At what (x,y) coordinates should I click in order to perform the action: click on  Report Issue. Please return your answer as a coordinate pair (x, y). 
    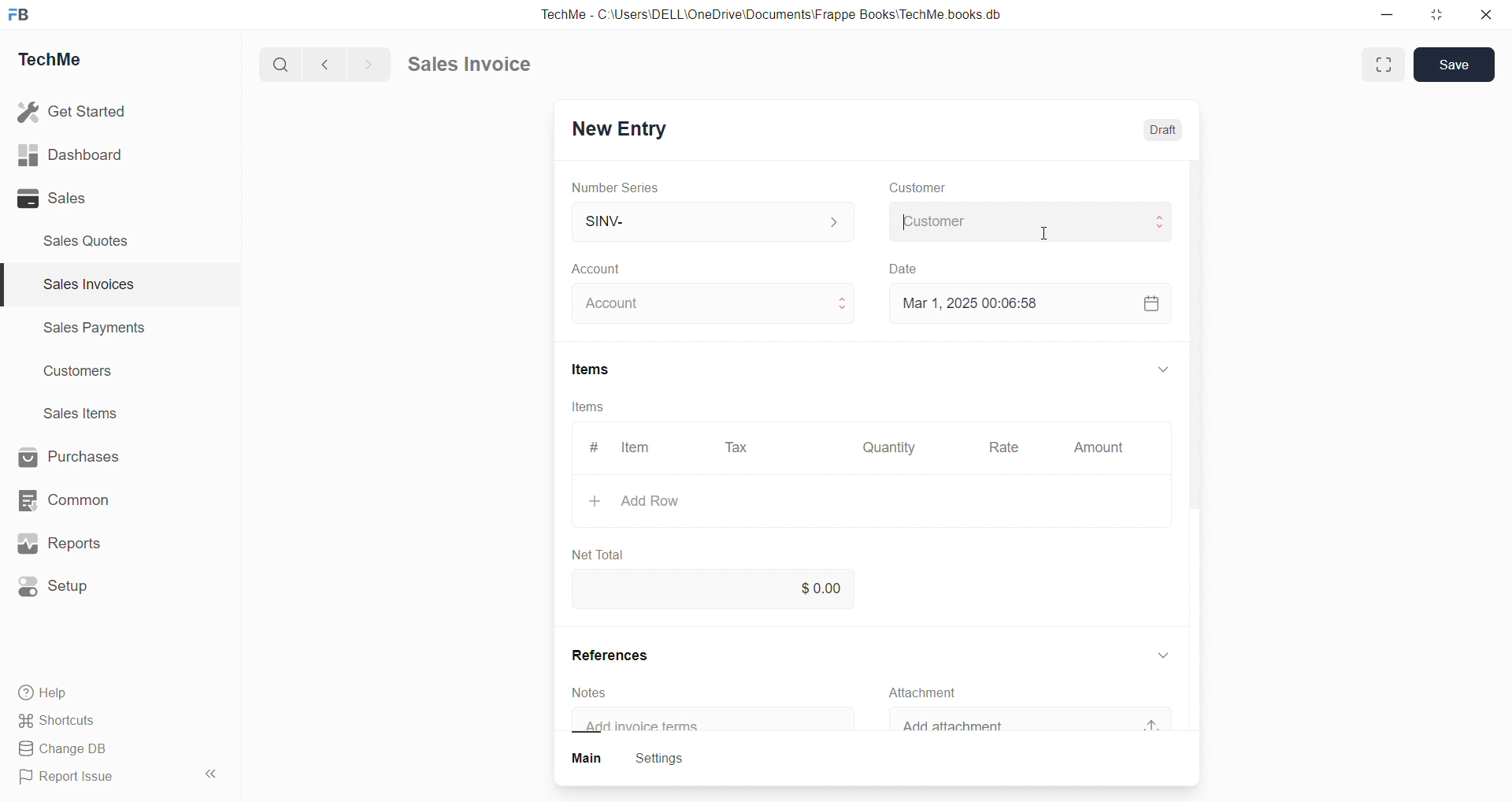
    Looking at the image, I should click on (73, 779).